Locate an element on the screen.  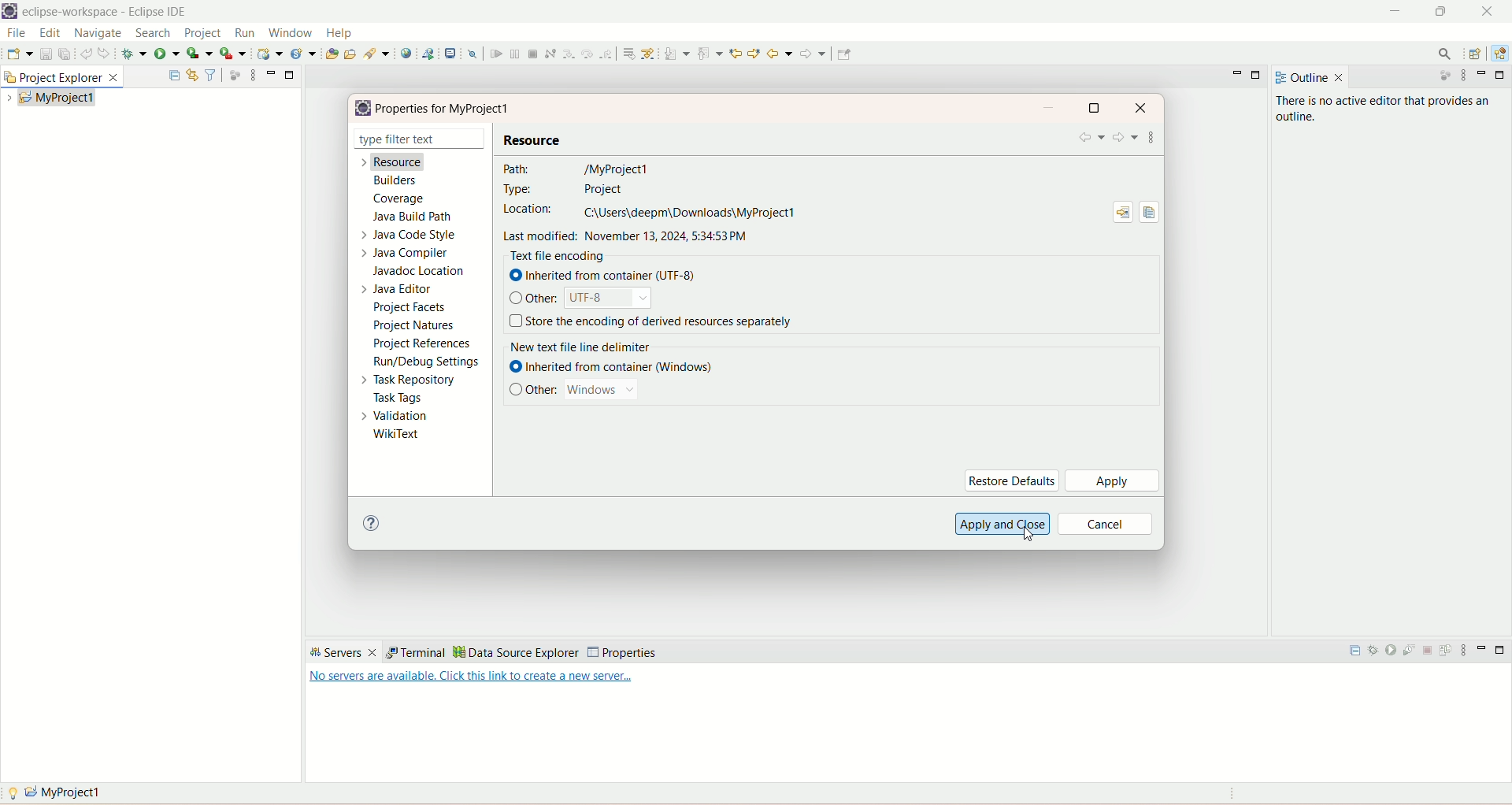
validation is located at coordinates (391, 417).